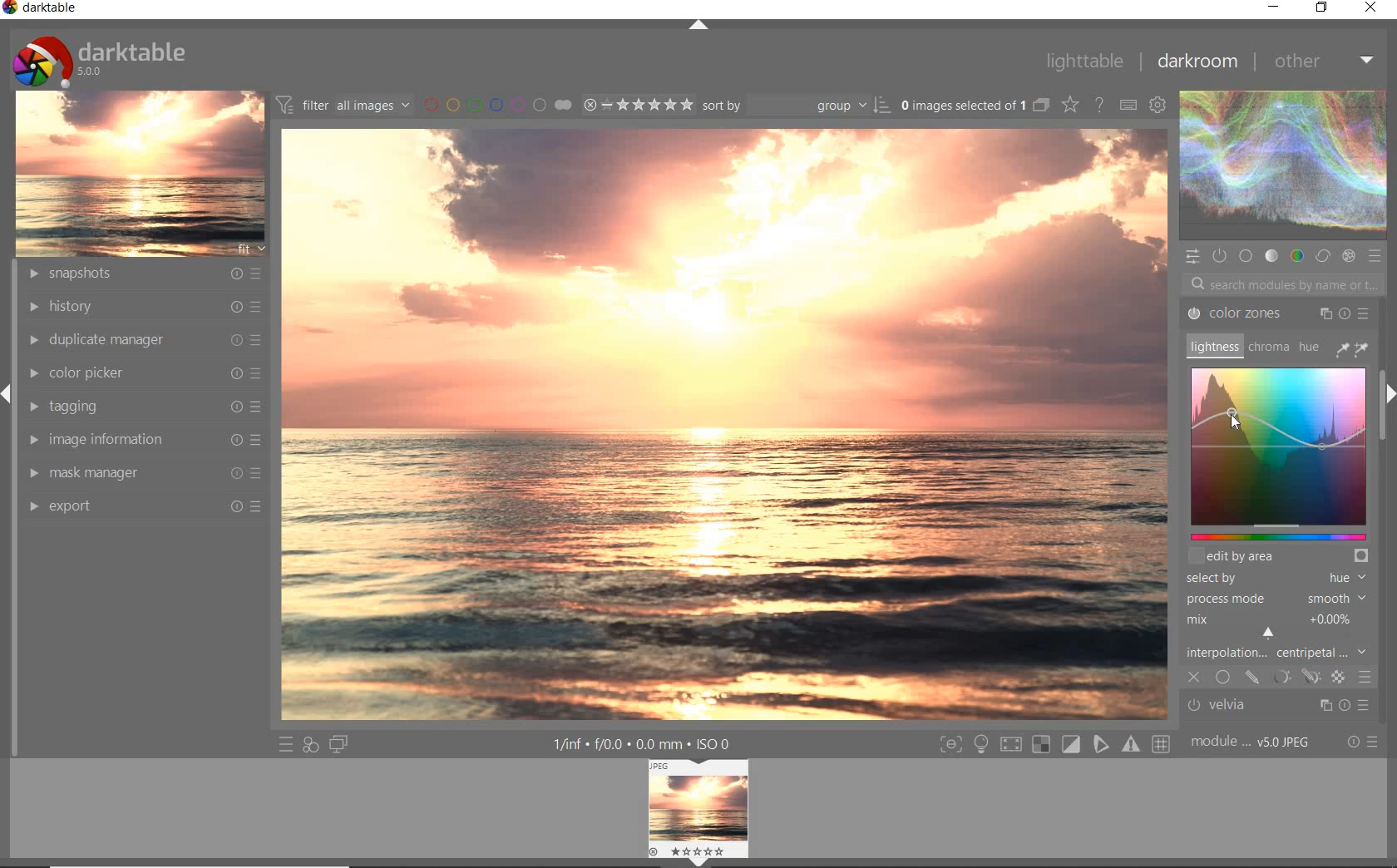  Describe the element at coordinates (1271, 256) in the screenshot. I see `TONE ` at that location.